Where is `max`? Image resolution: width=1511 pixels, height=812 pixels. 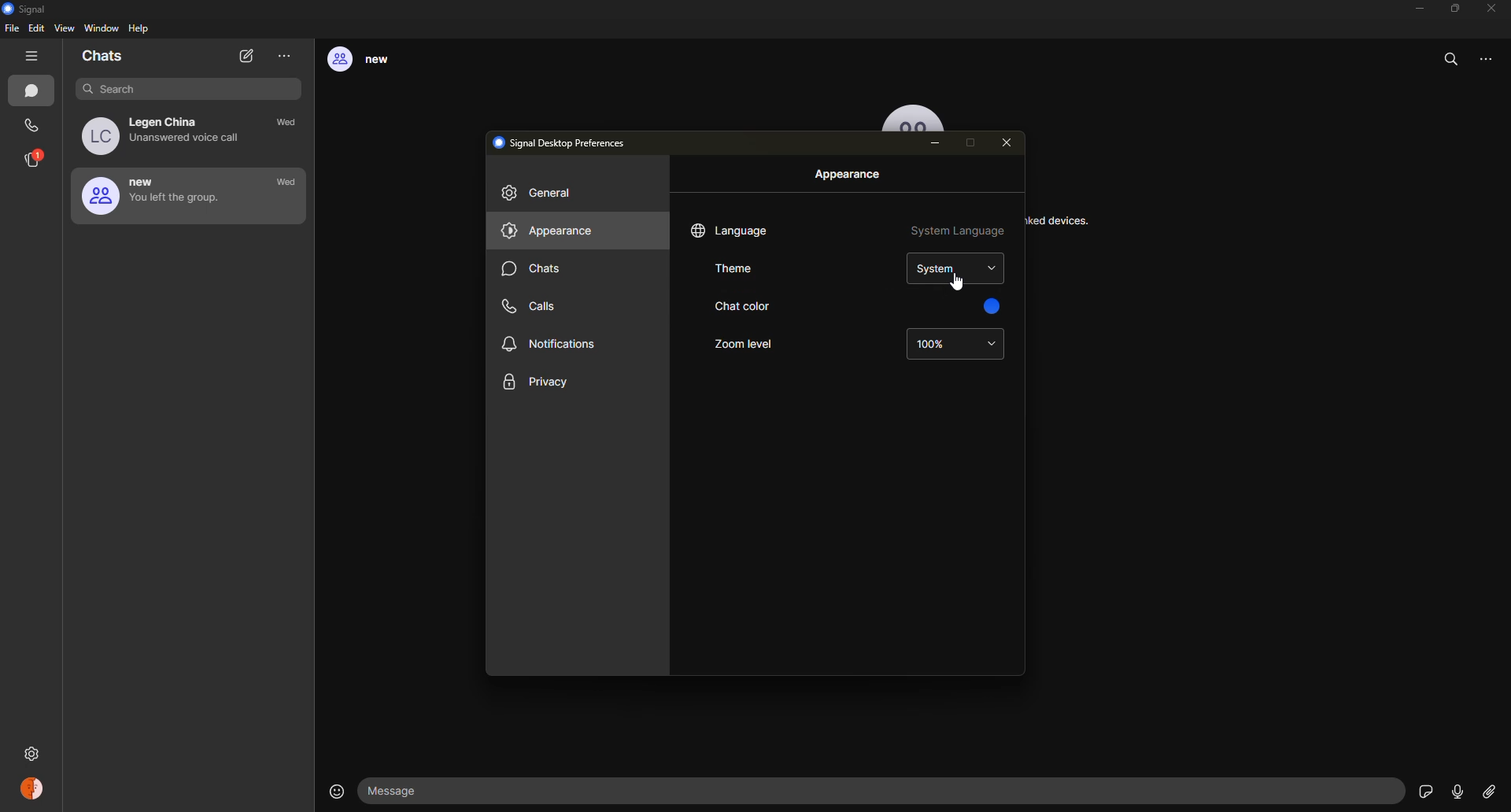 max is located at coordinates (974, 142).